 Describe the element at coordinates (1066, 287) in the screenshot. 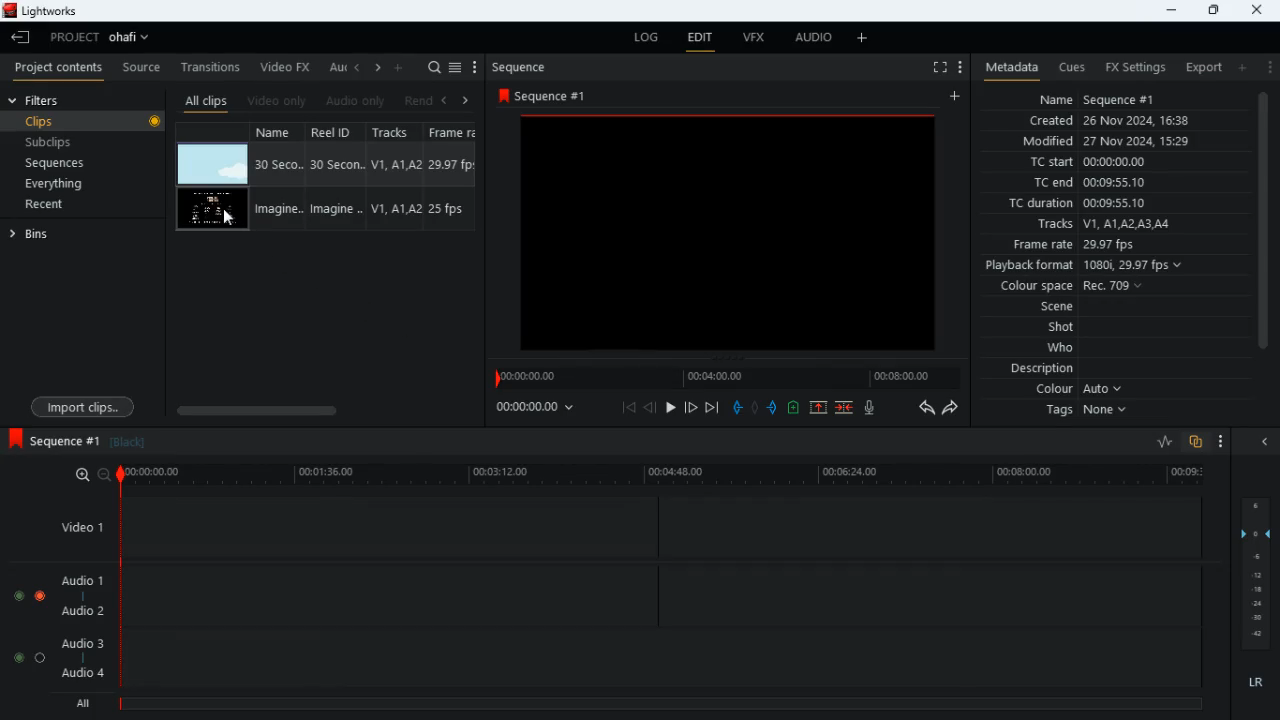

I see `colour space` at that location.